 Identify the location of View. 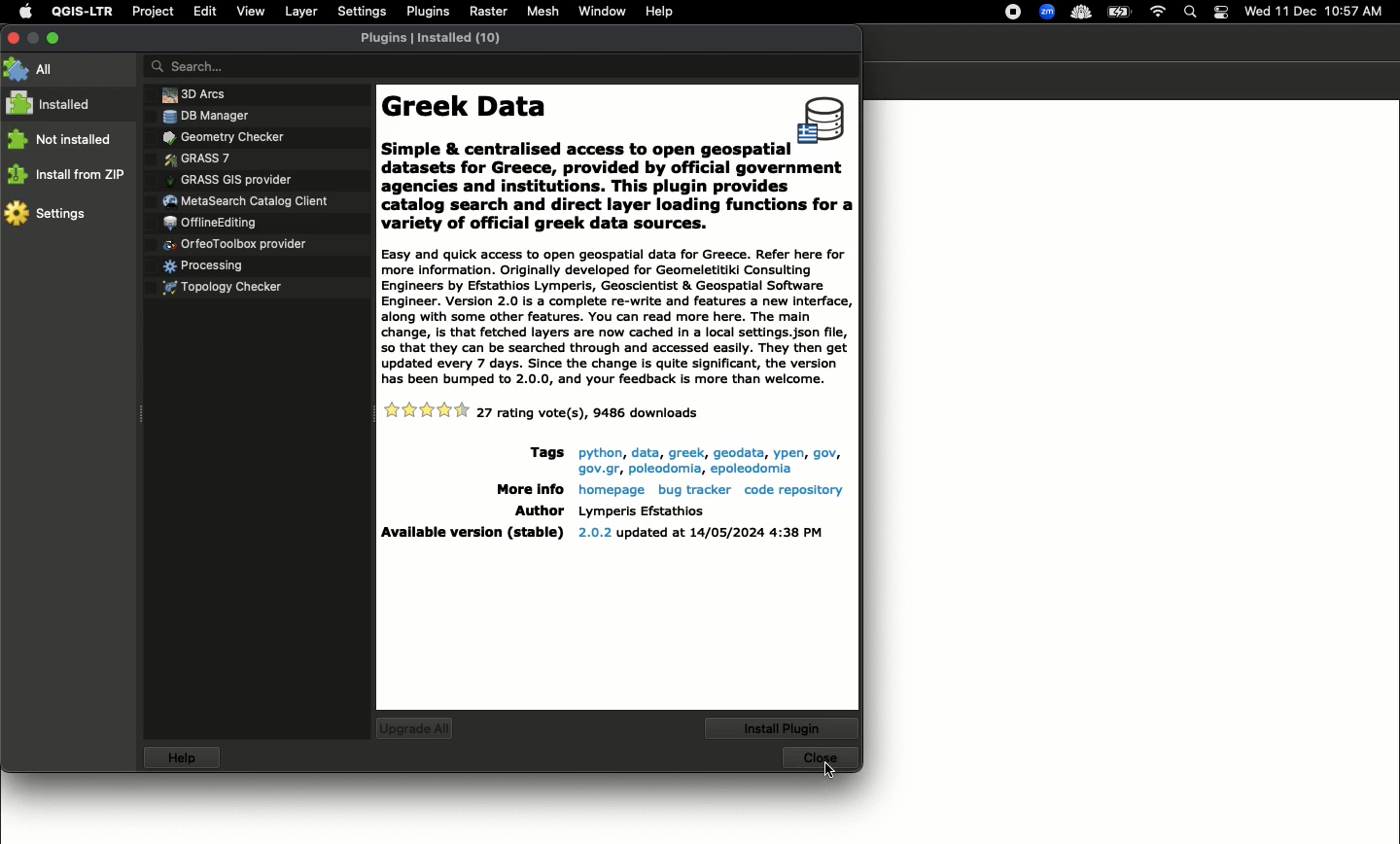
(251, 11).